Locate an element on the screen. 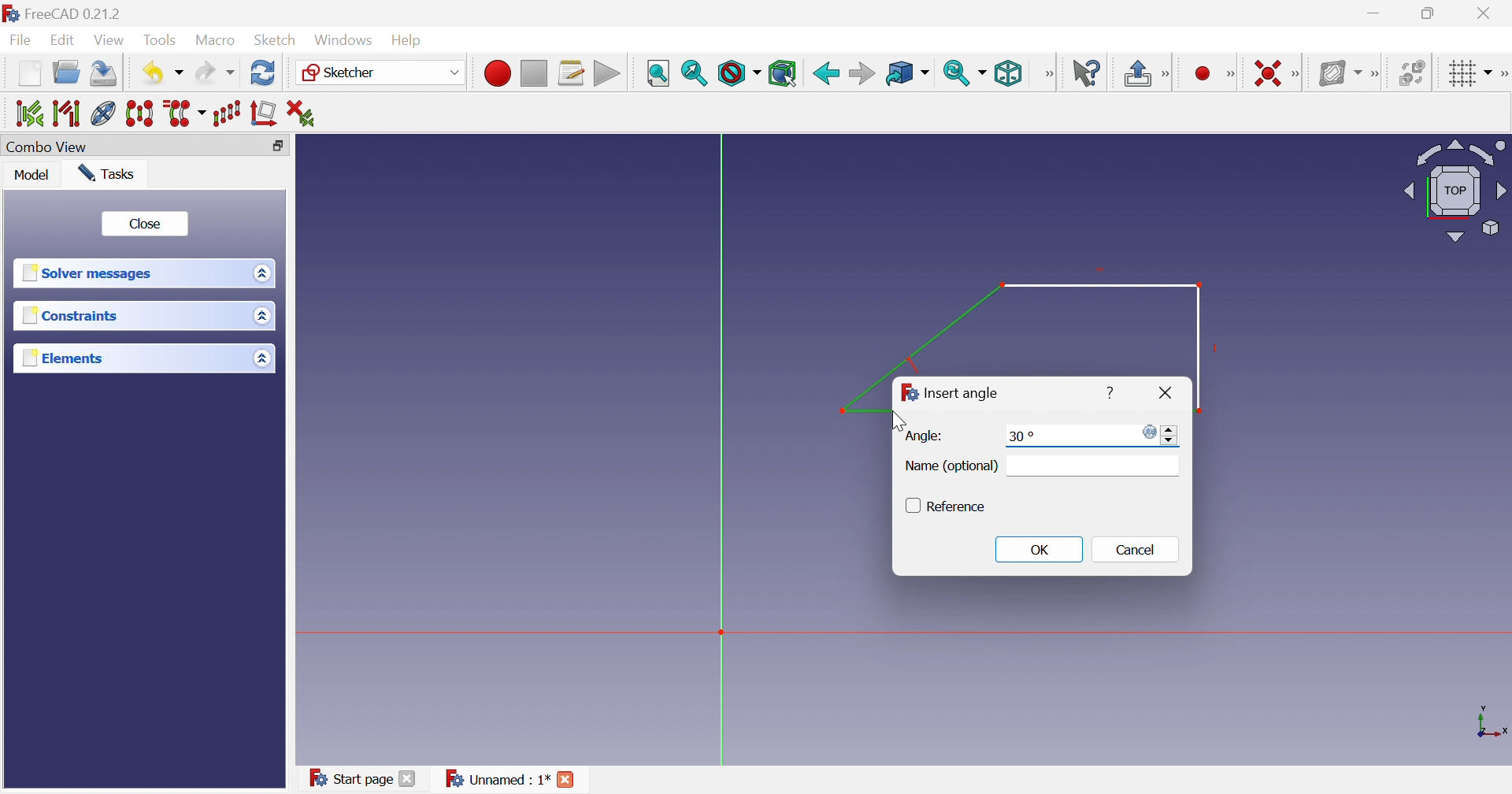 Image resolution: width=1512 pixels, height=794 pixels. Clone is located at coordinates (186, 114).